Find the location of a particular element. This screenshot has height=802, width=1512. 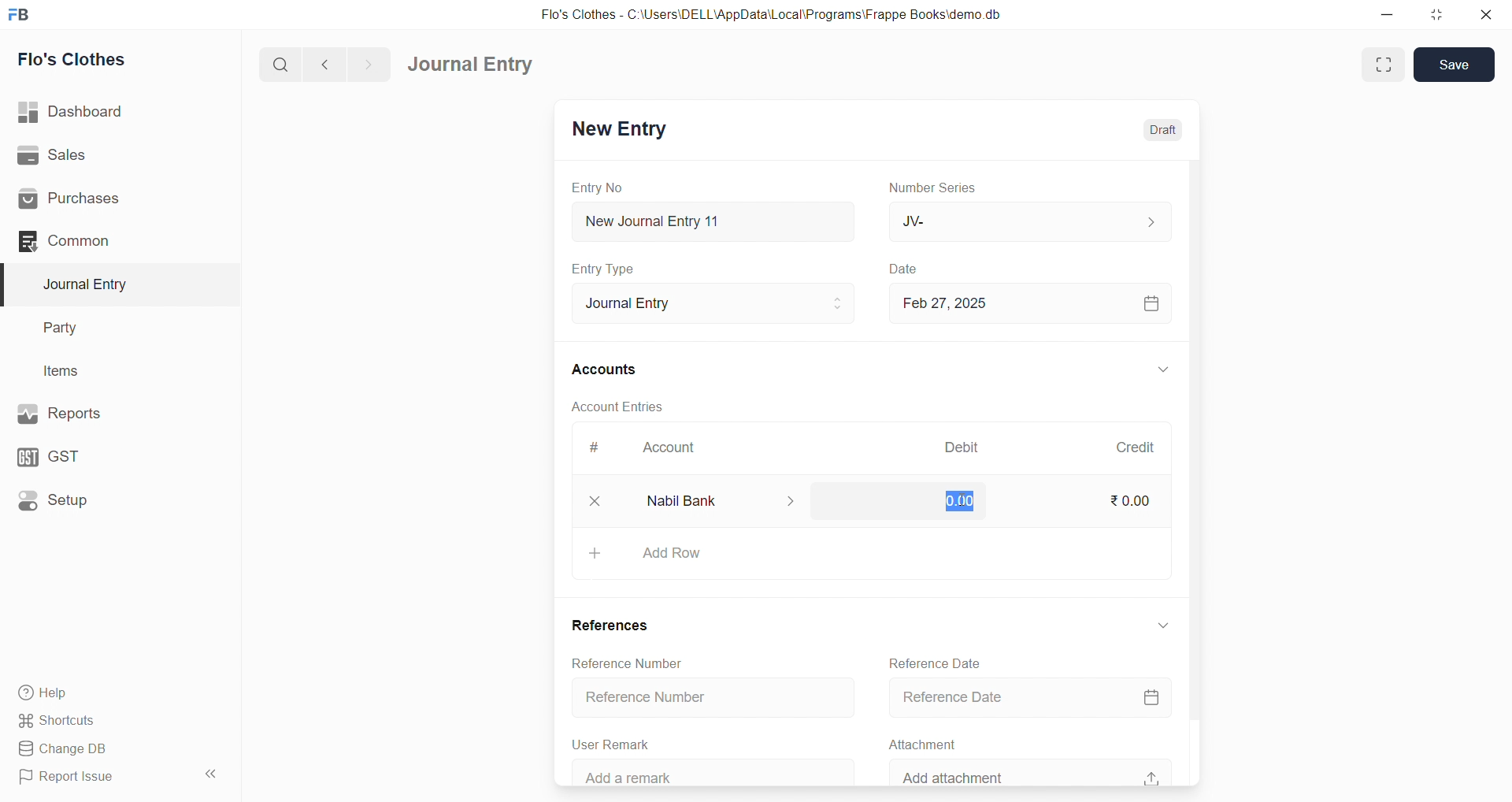

Accounts is located at coordinates (605, 370).